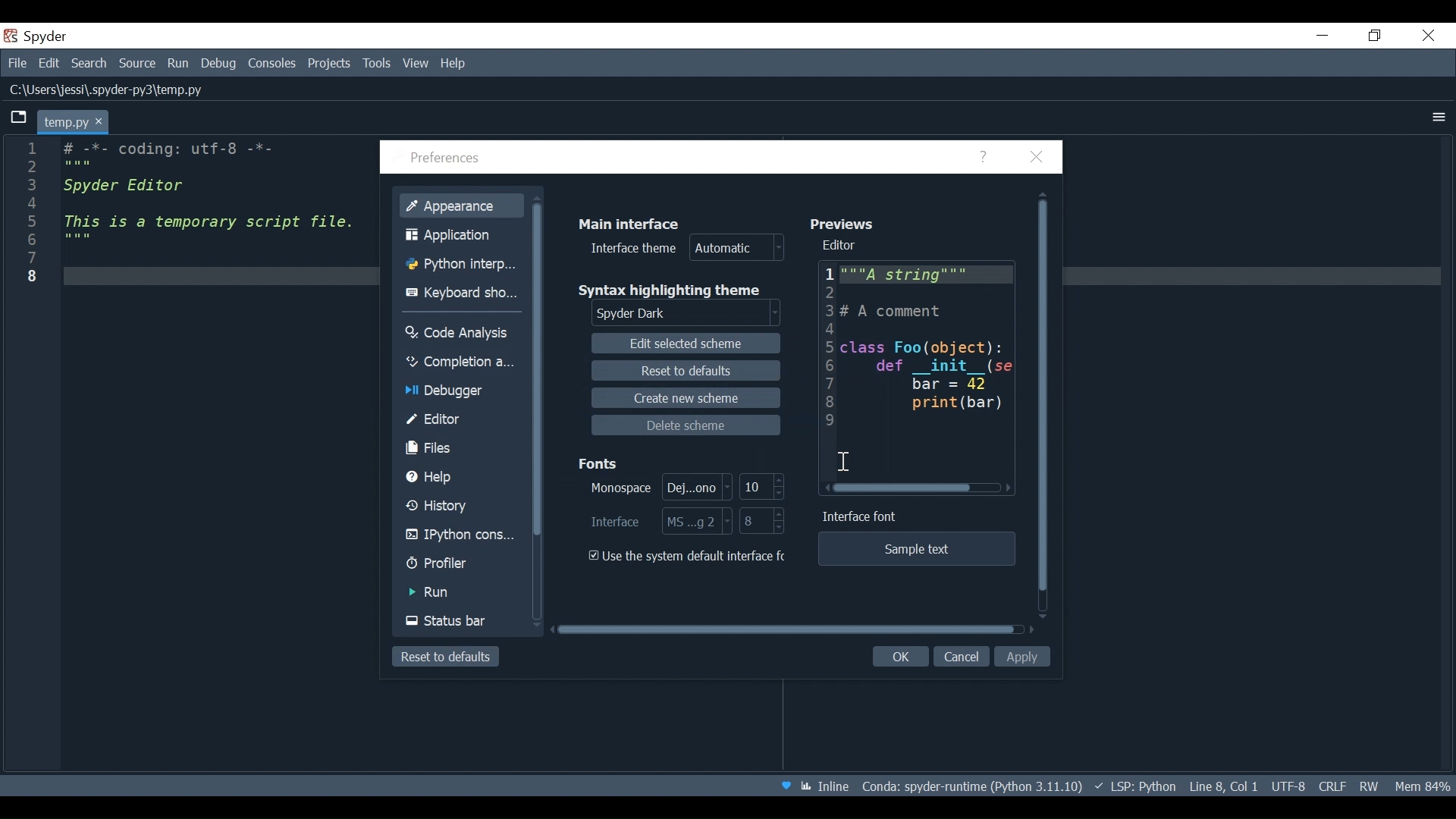  Describe the element at coordinates (903, 488) in the screenshot. I see `Horizontal Scroll bar` at that location.